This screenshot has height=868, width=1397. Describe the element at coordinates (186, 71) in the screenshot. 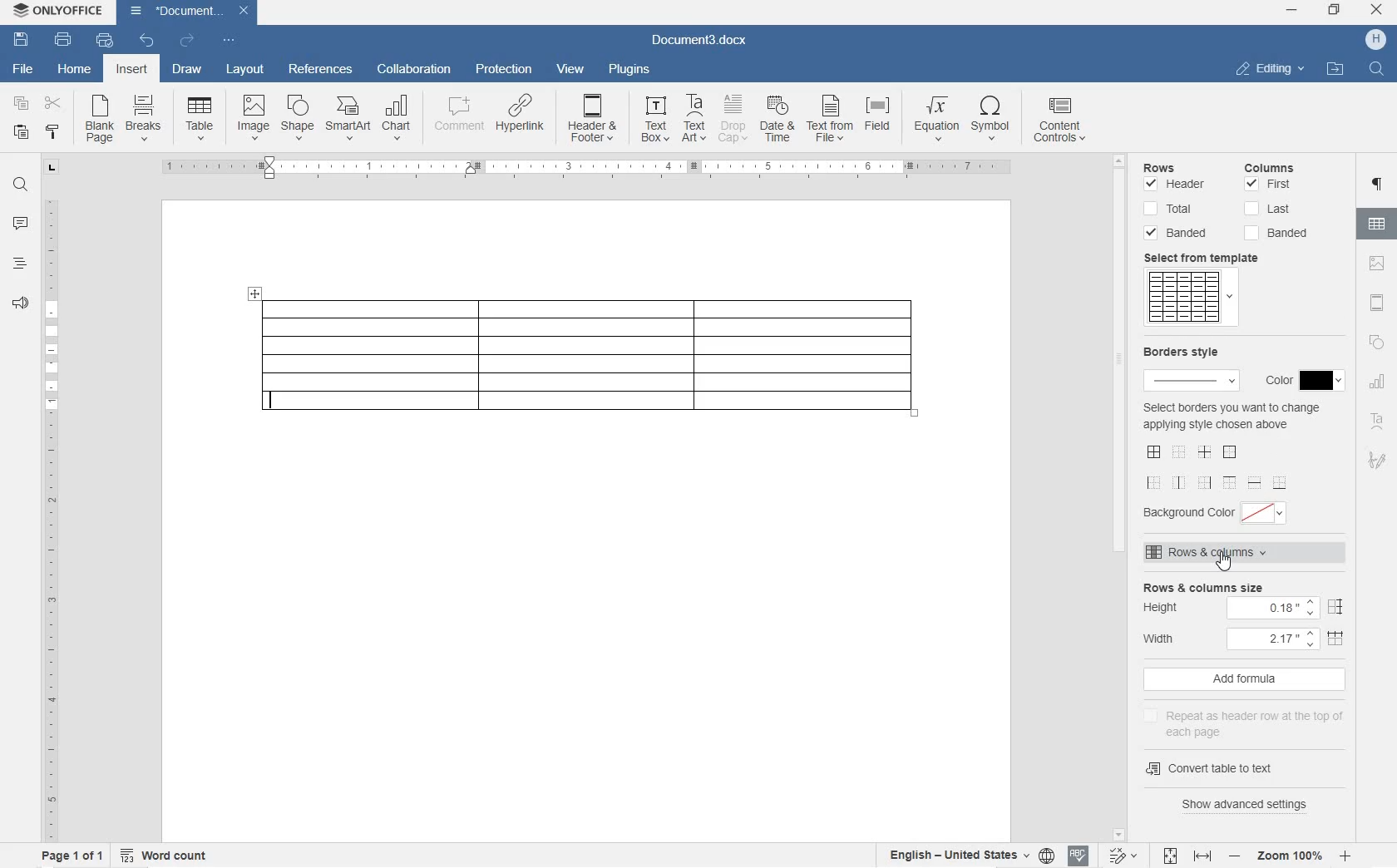

I see `DRAW` at that location.